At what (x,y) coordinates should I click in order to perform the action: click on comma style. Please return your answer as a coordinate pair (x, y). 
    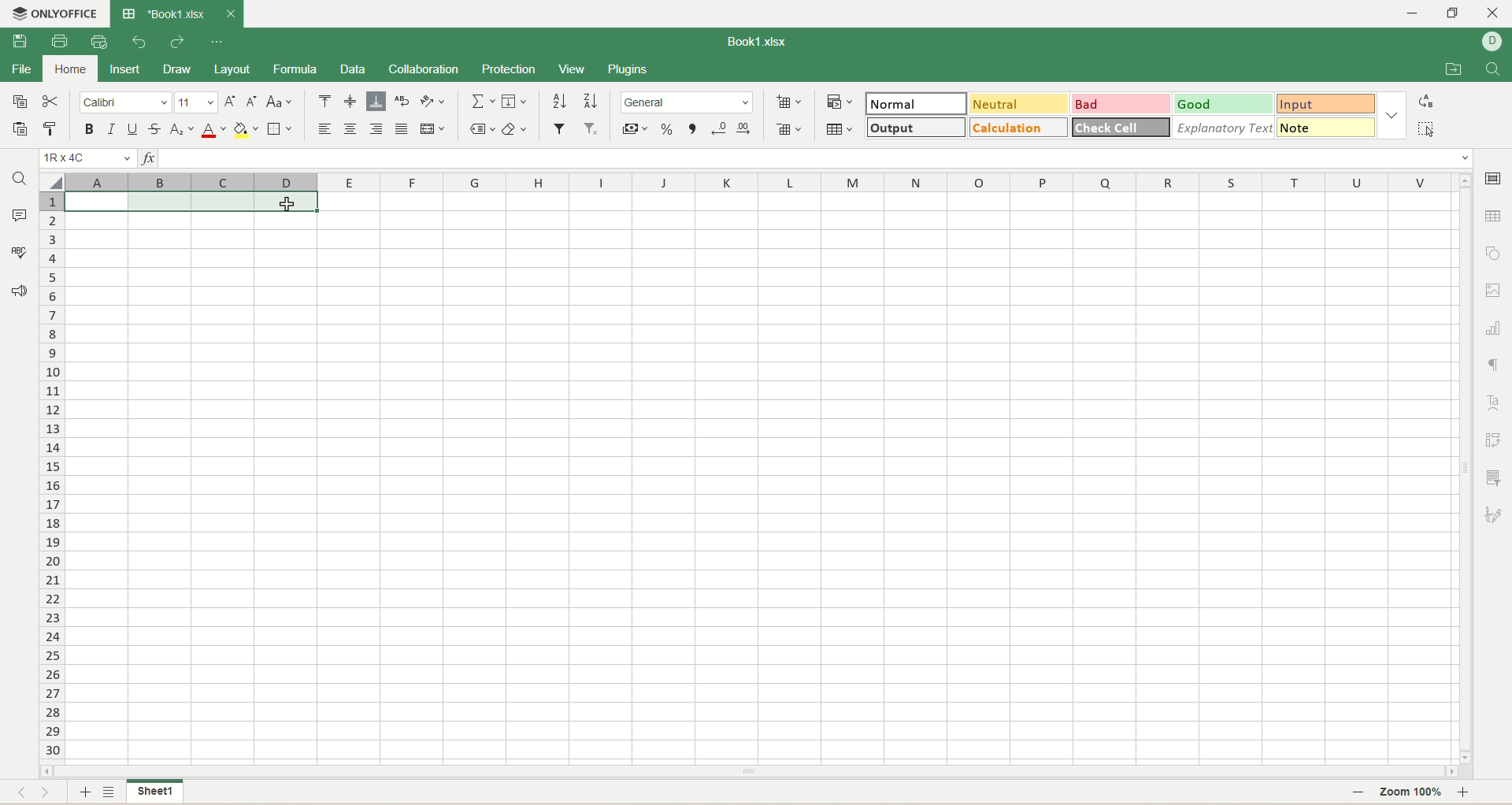
    Looking at the image, I should click on (692, 128).